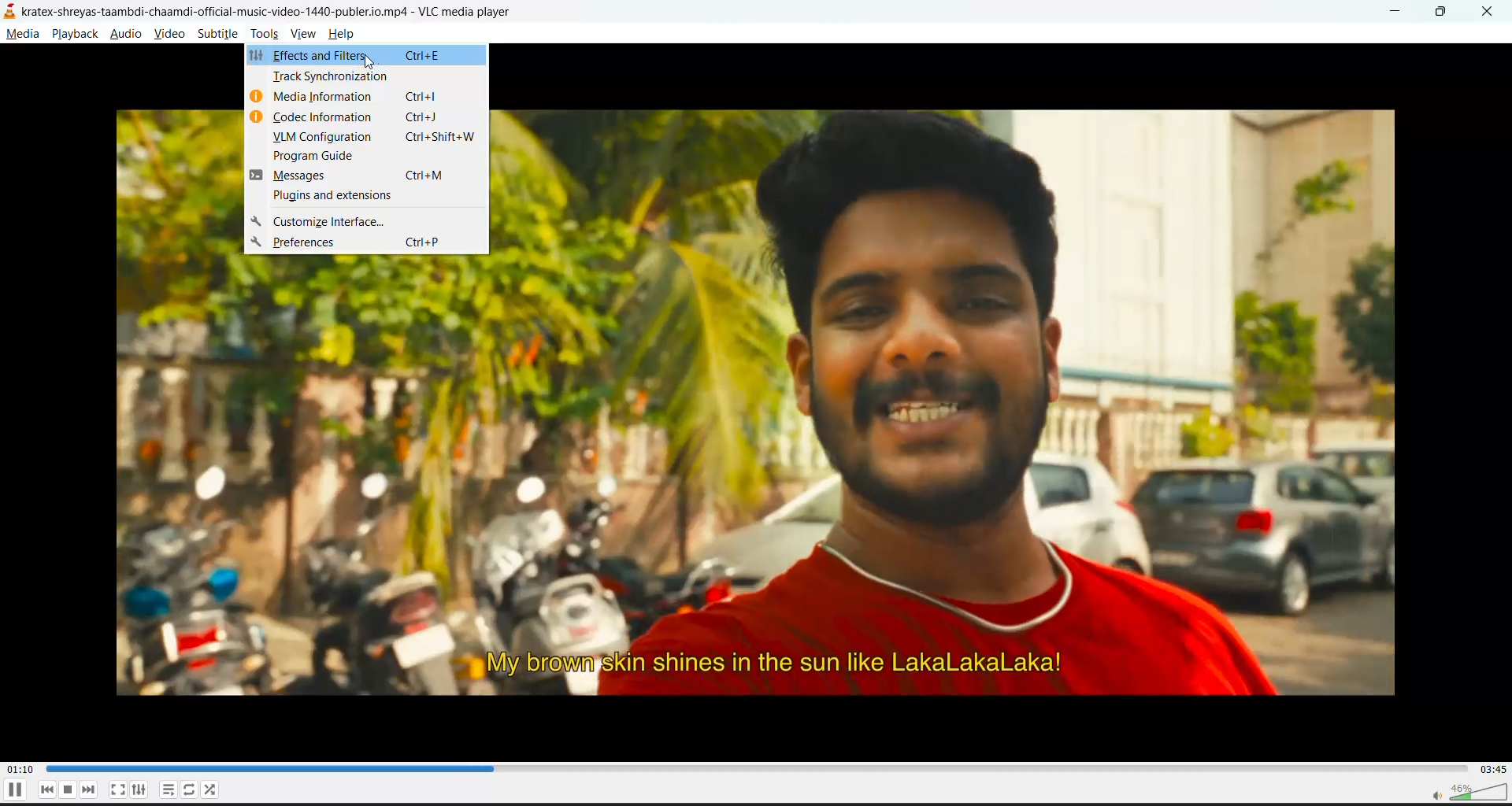 This screenshot has height=806, width=1512. What do you see at coordinates (1464, 791) in the screenshot?
I see `volume` at bounding box center [1464, 791].